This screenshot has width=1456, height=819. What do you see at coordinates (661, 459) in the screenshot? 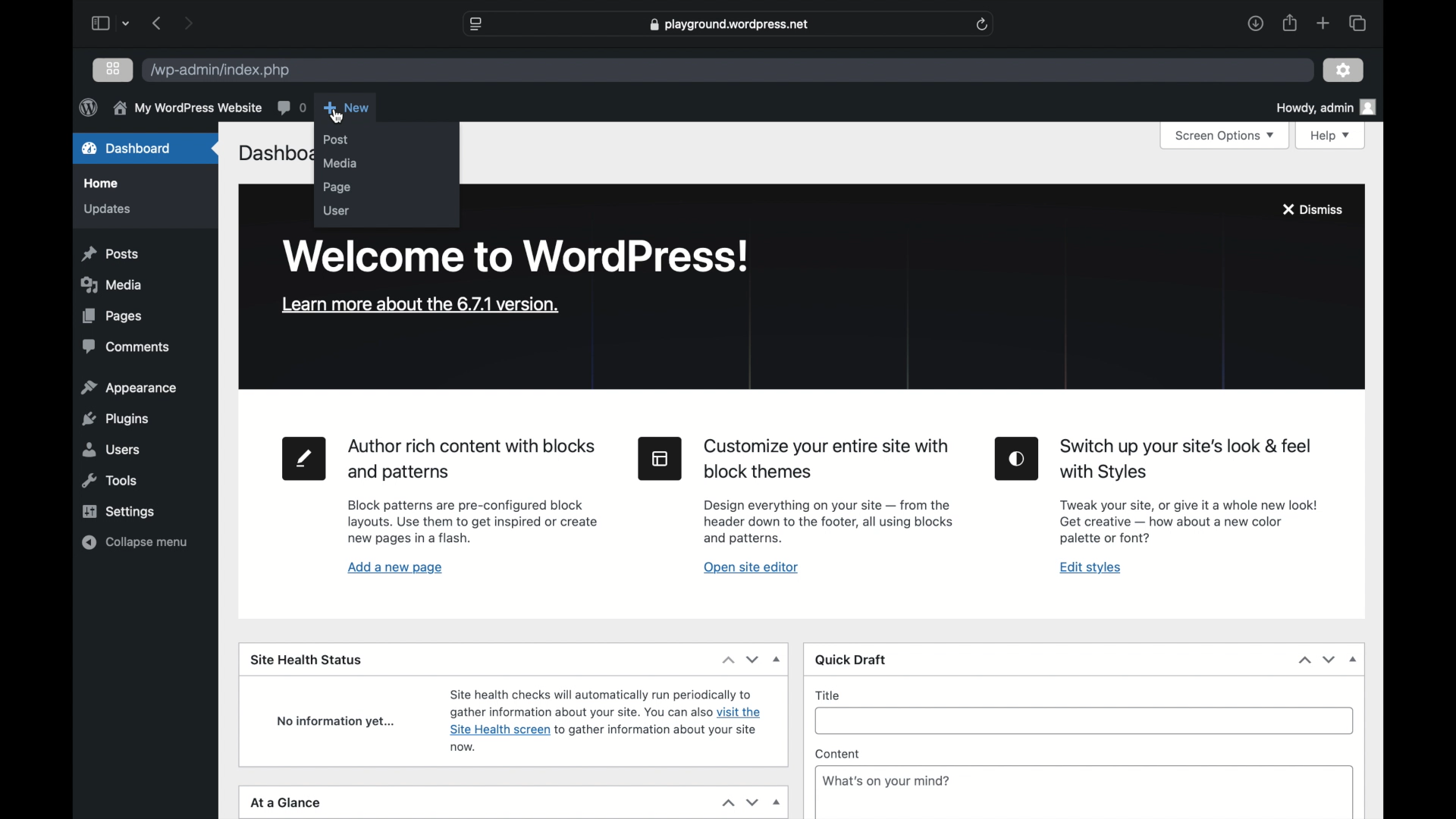
I see `site editor` at bounding box center [661, 459].